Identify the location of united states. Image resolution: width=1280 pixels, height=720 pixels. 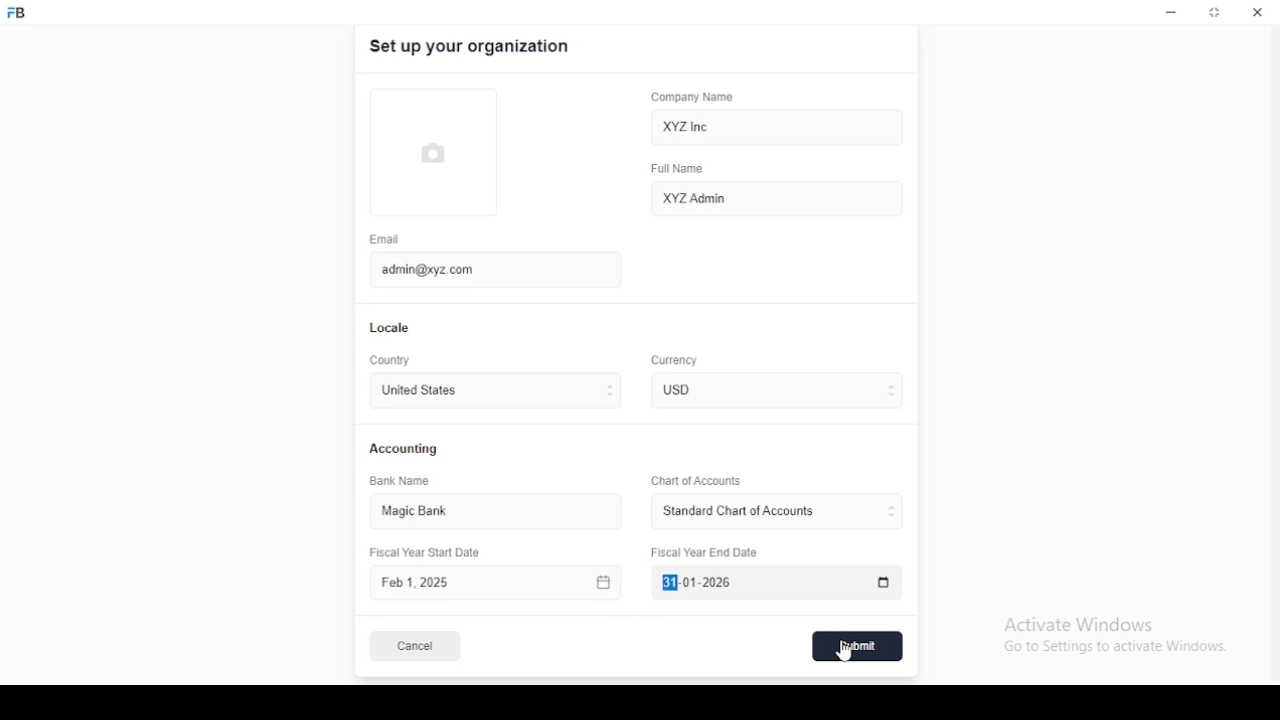
(418, 392).